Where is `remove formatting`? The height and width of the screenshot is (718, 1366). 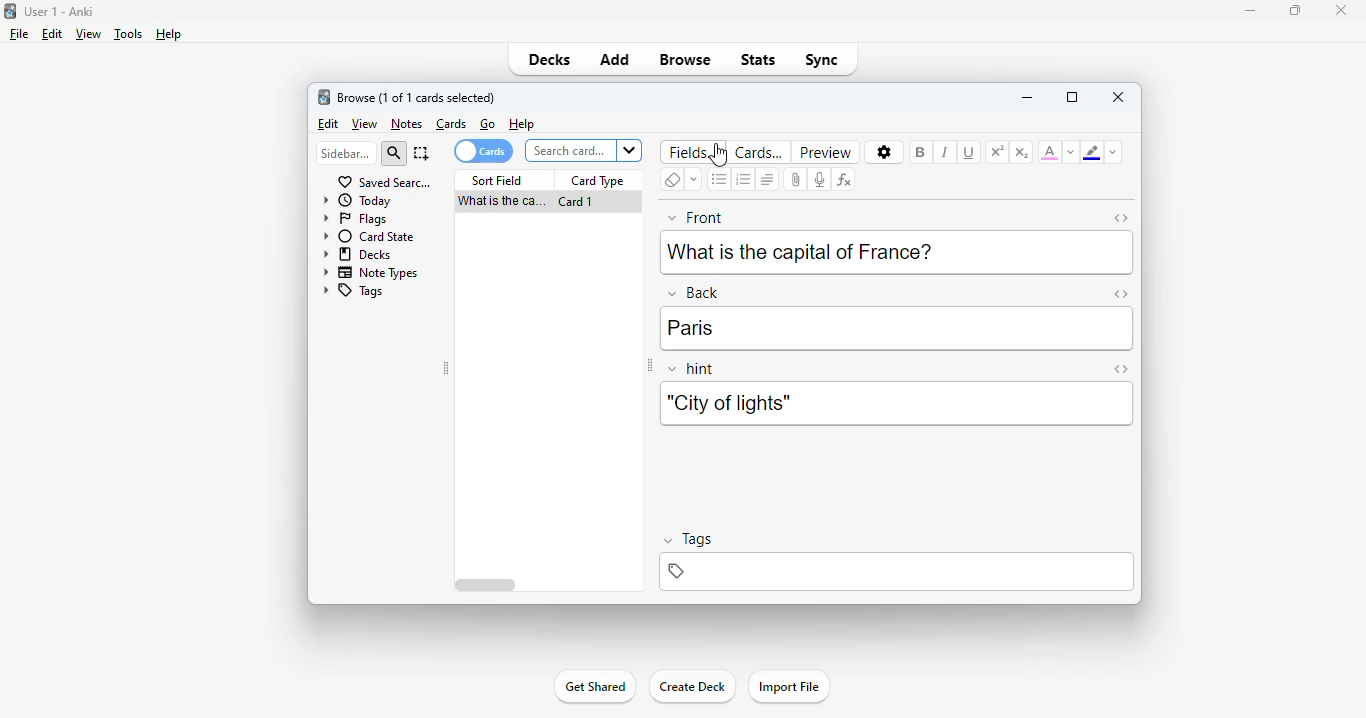
remove formatting is located at coordinates (672, 180).